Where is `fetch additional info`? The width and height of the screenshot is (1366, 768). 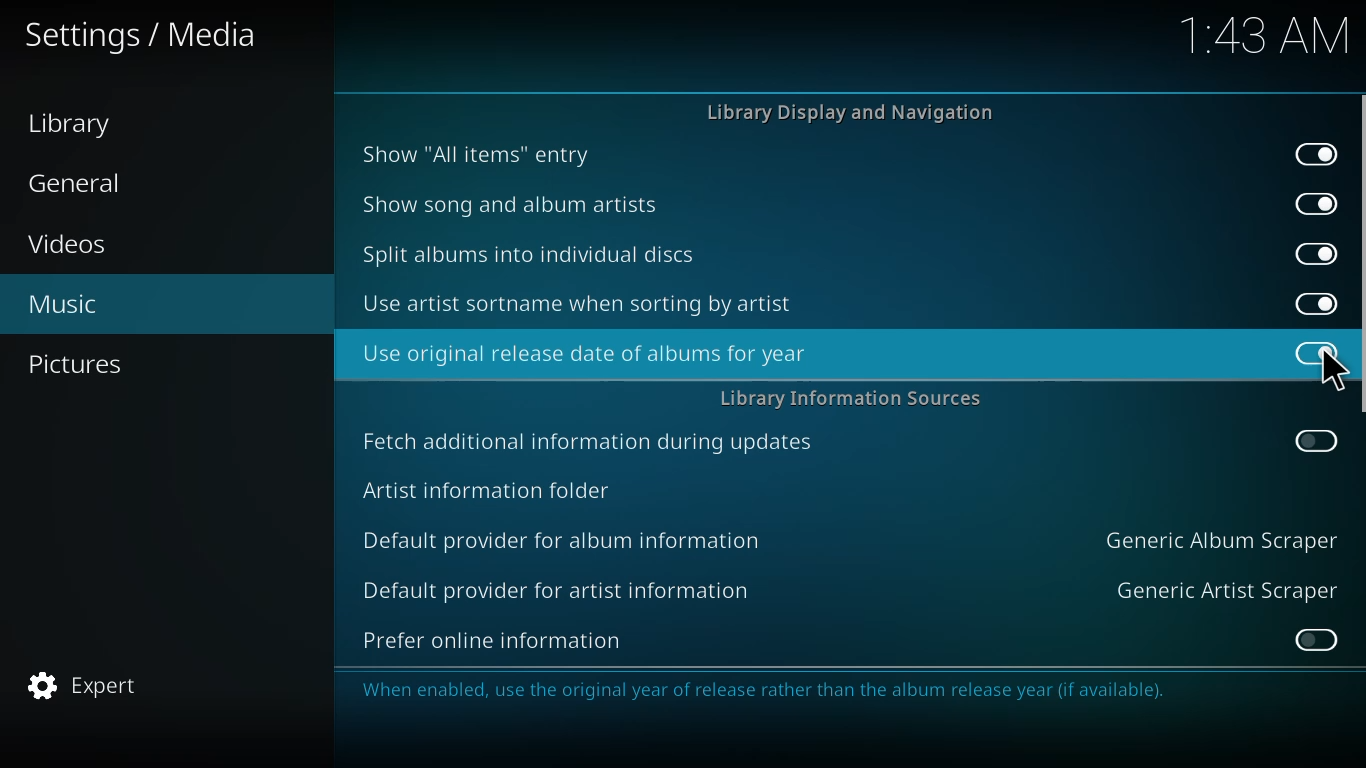 fetch additional info is located at coordinates (592, 442).